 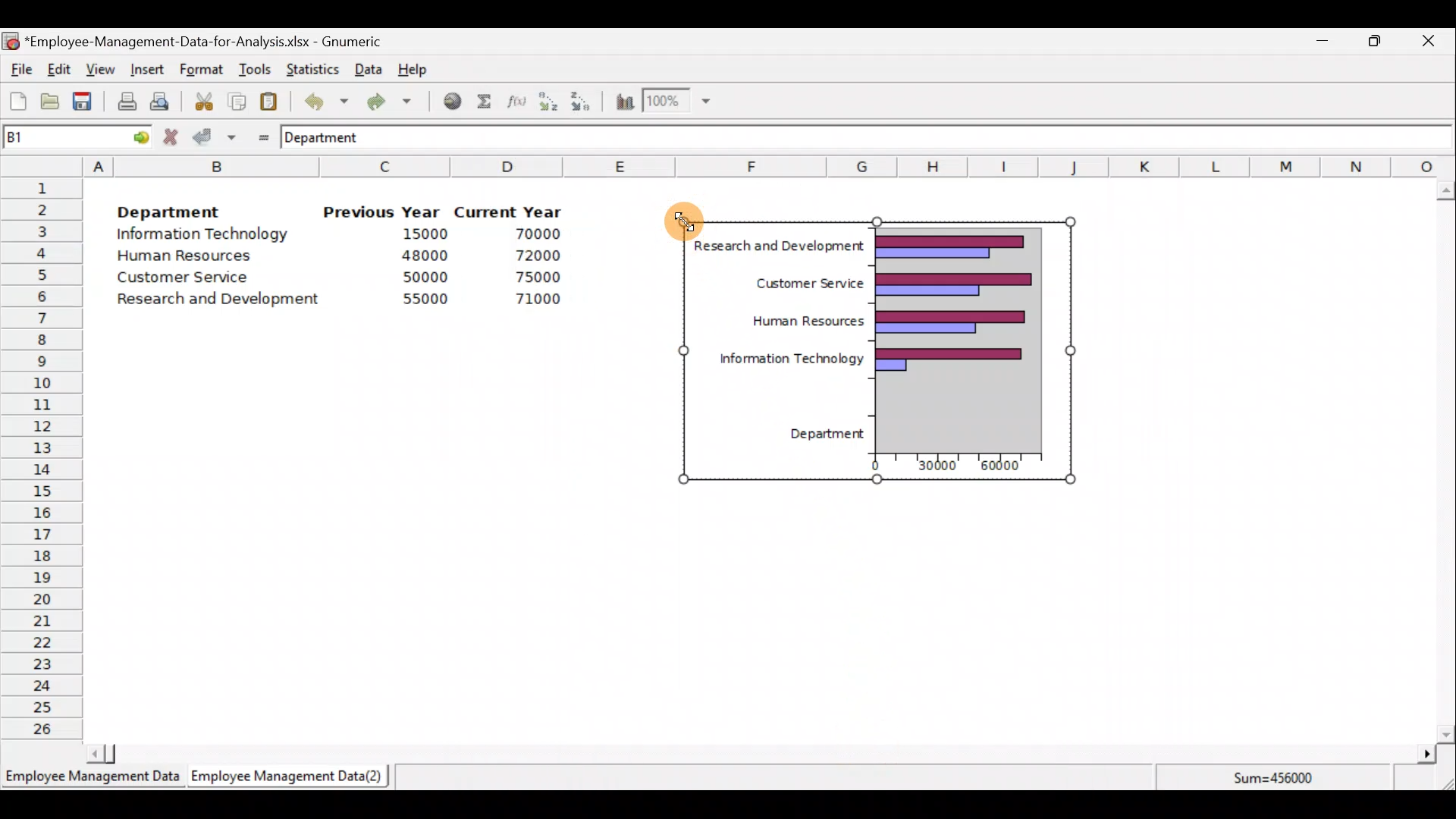 What do you see at coordinates (422, 68) in the screenshot?
I see `Help` at bounding box center [422, 68].